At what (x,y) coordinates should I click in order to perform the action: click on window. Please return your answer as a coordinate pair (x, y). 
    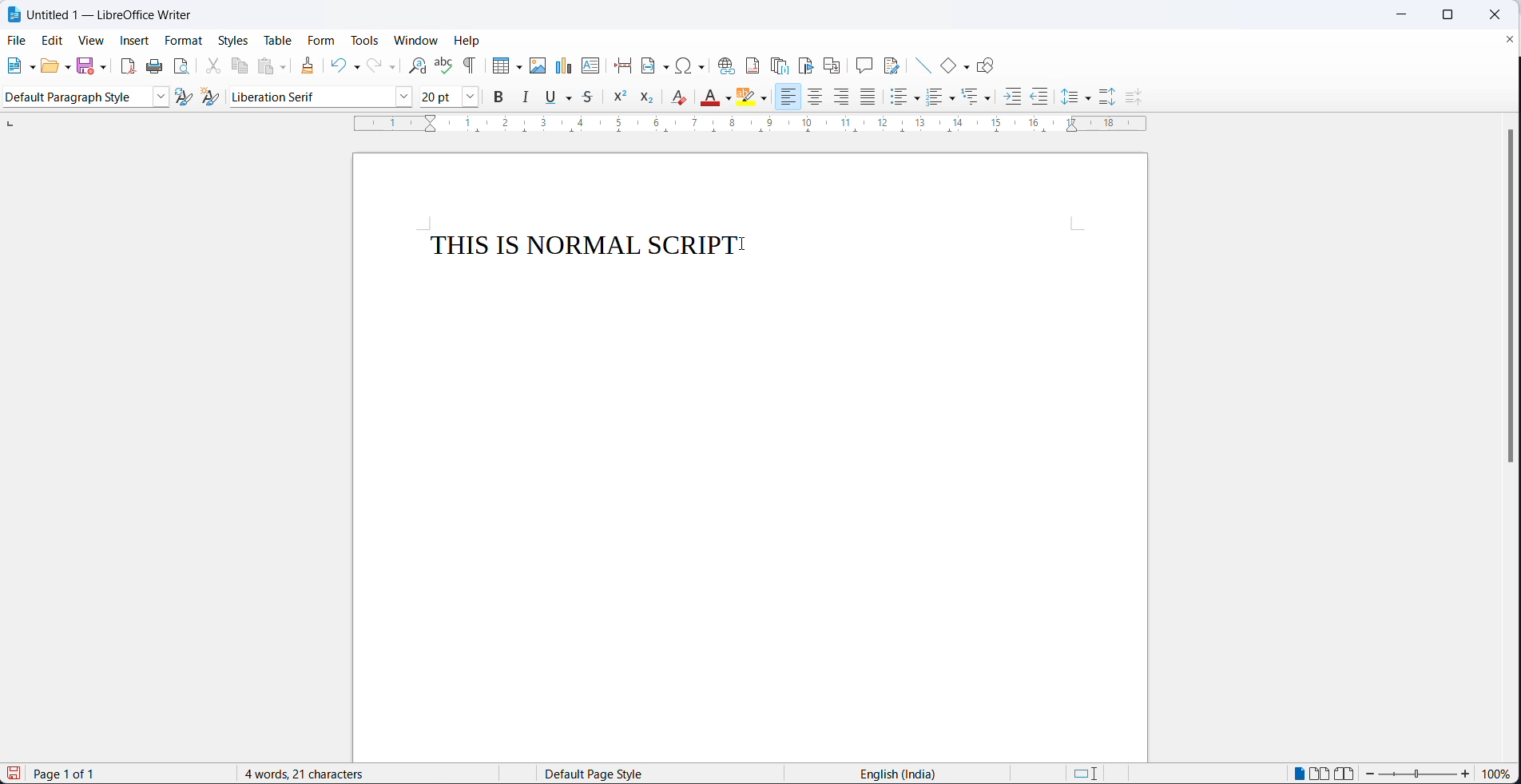
    Looking at the image, I should click on (417, 39).